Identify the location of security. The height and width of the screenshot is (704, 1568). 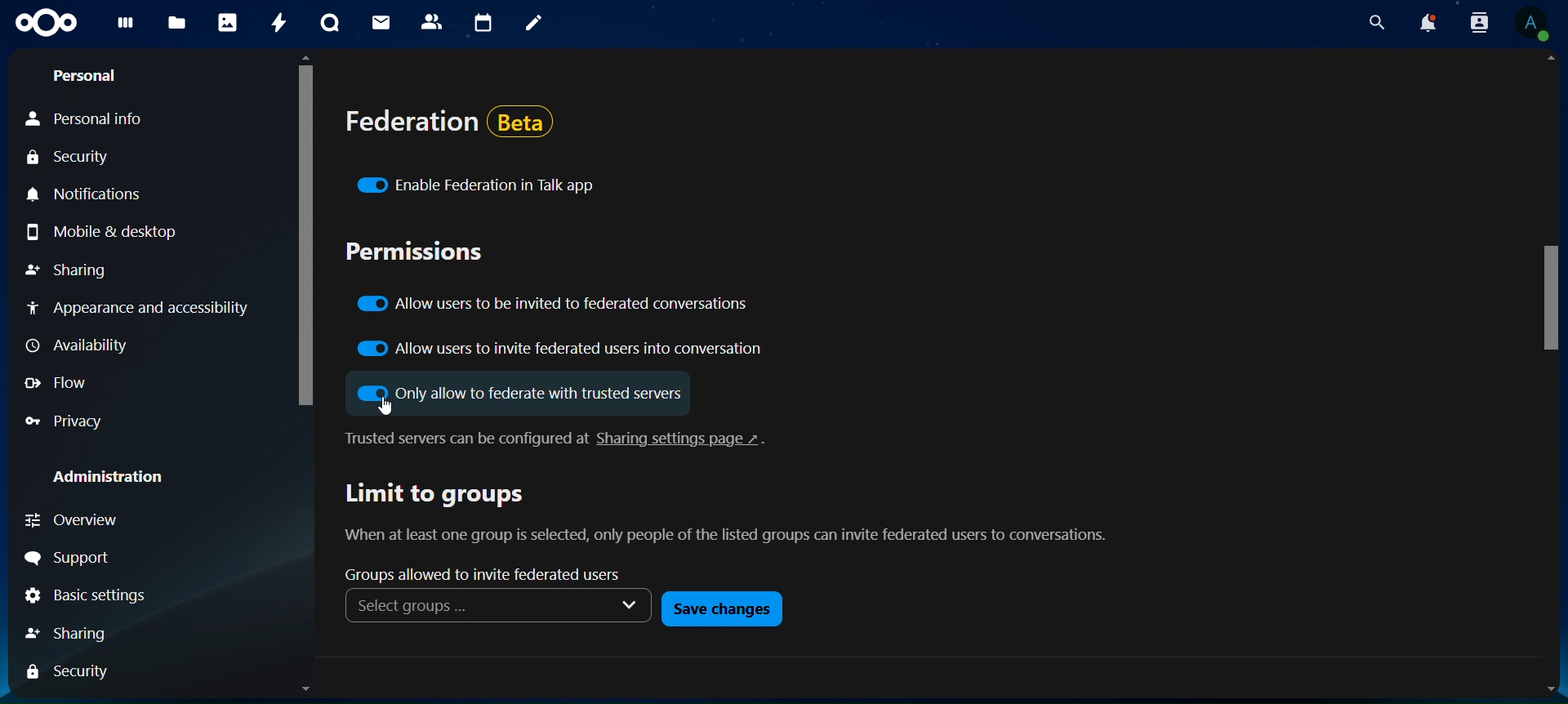
(69, 676).